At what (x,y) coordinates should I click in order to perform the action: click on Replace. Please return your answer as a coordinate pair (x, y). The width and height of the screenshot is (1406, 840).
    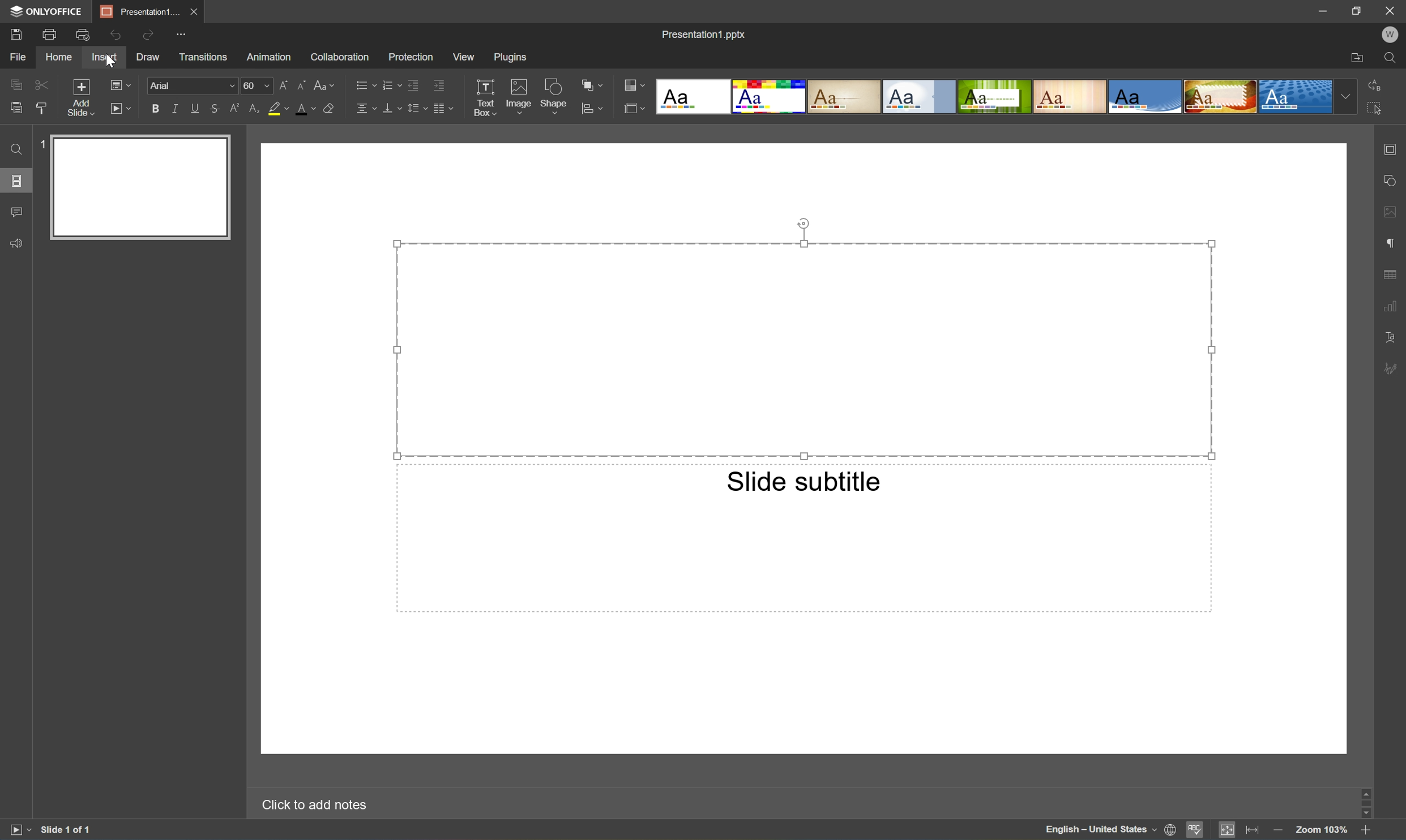
    Looking at the image, I should click on (1374, 84).